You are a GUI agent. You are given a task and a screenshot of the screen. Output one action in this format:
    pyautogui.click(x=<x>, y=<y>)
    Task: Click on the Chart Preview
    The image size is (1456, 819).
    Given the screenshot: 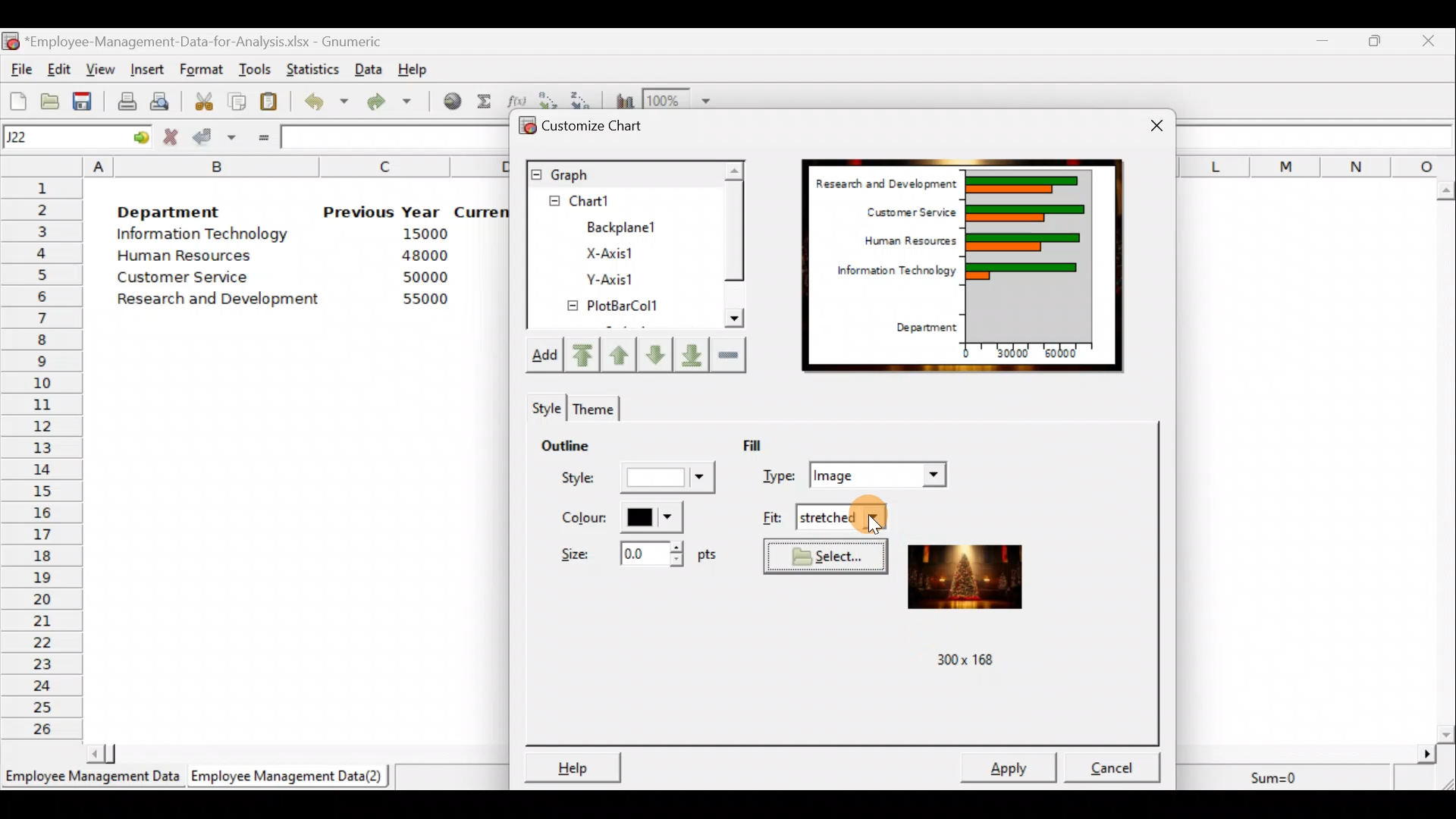 What is the action you would take?
    pyautogui.click(x=1030, y=255)
    